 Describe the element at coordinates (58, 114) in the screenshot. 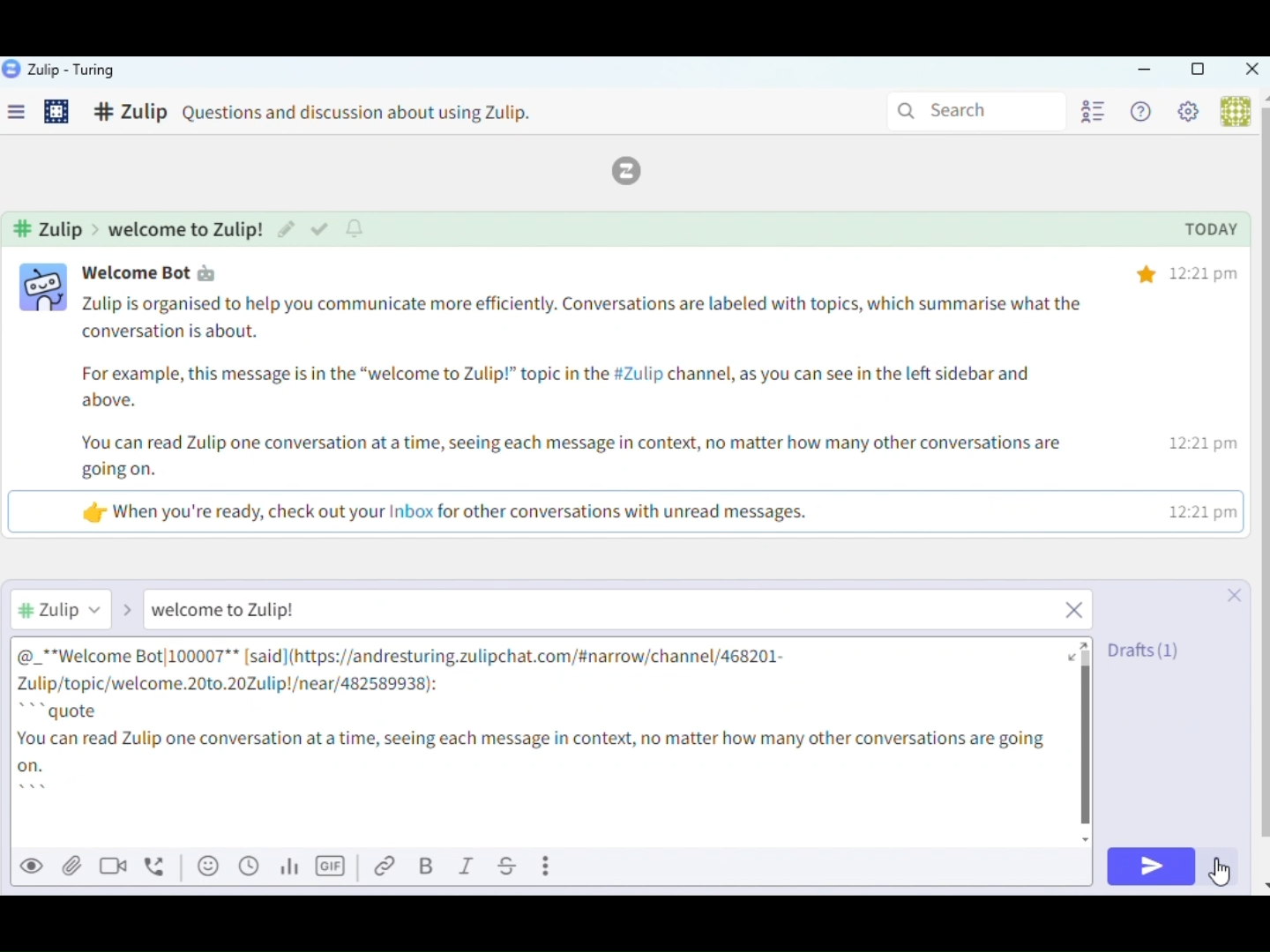

I see `Settings` at that location.